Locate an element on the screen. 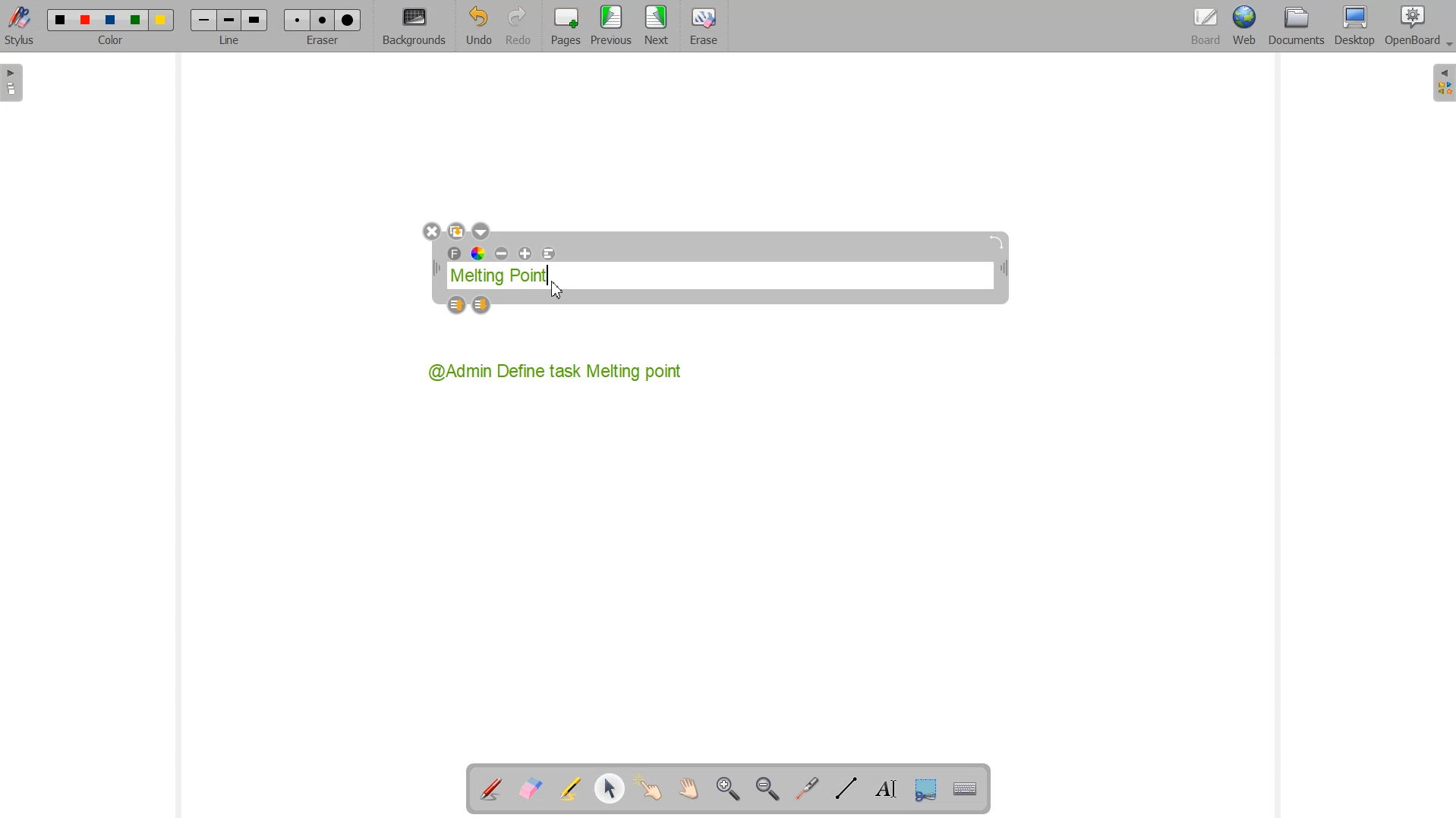  Dropdown box is located at coordinates (1447, 46).